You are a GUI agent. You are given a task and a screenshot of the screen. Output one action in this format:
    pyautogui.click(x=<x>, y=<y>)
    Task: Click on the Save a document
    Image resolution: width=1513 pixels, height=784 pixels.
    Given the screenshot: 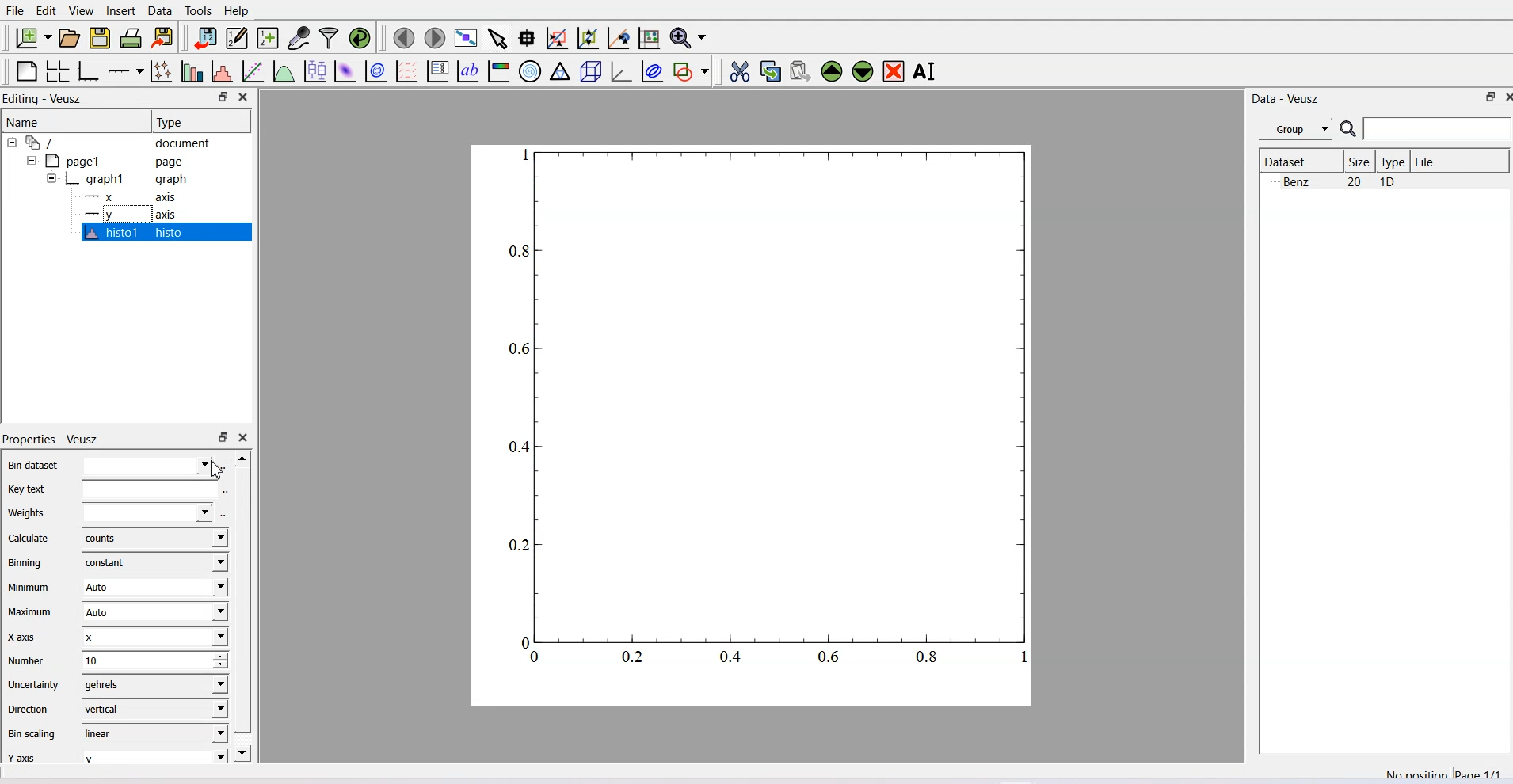 What is the action you would take?
    pyautogui.click(x=101, y=38)
    